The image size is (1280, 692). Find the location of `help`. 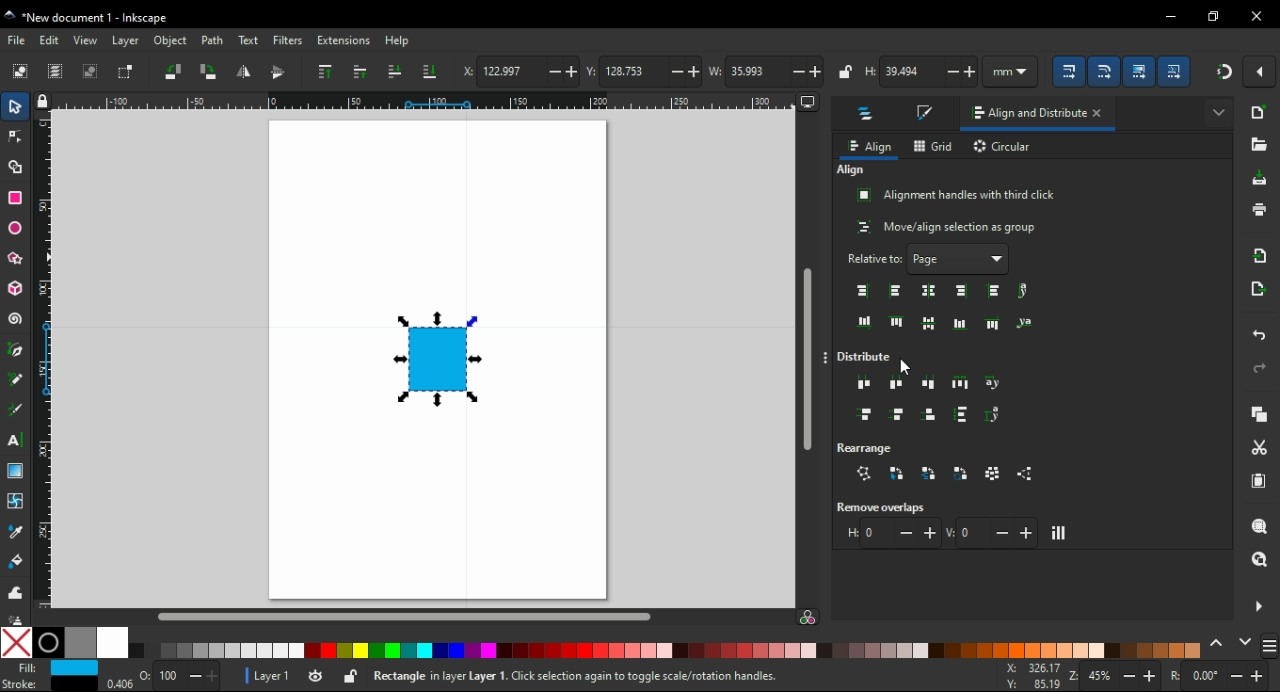

help is located at coordinates (398, 41).